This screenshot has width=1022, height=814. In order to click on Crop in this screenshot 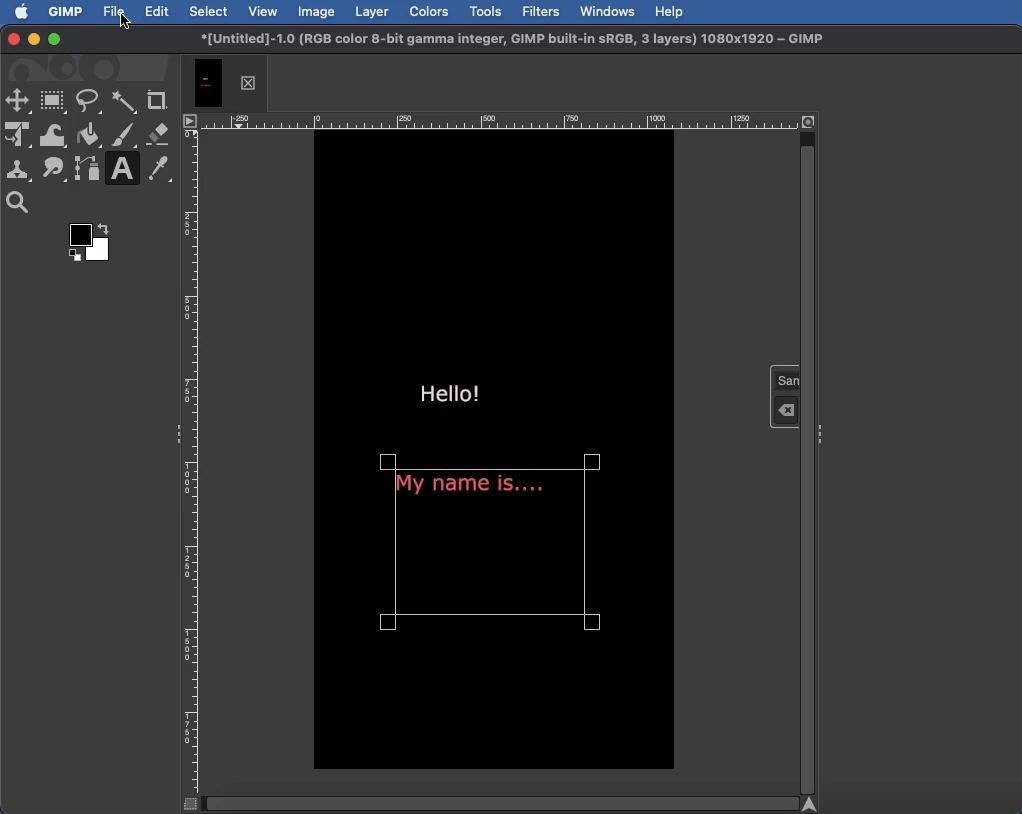, I will do `click(157, 100)`.